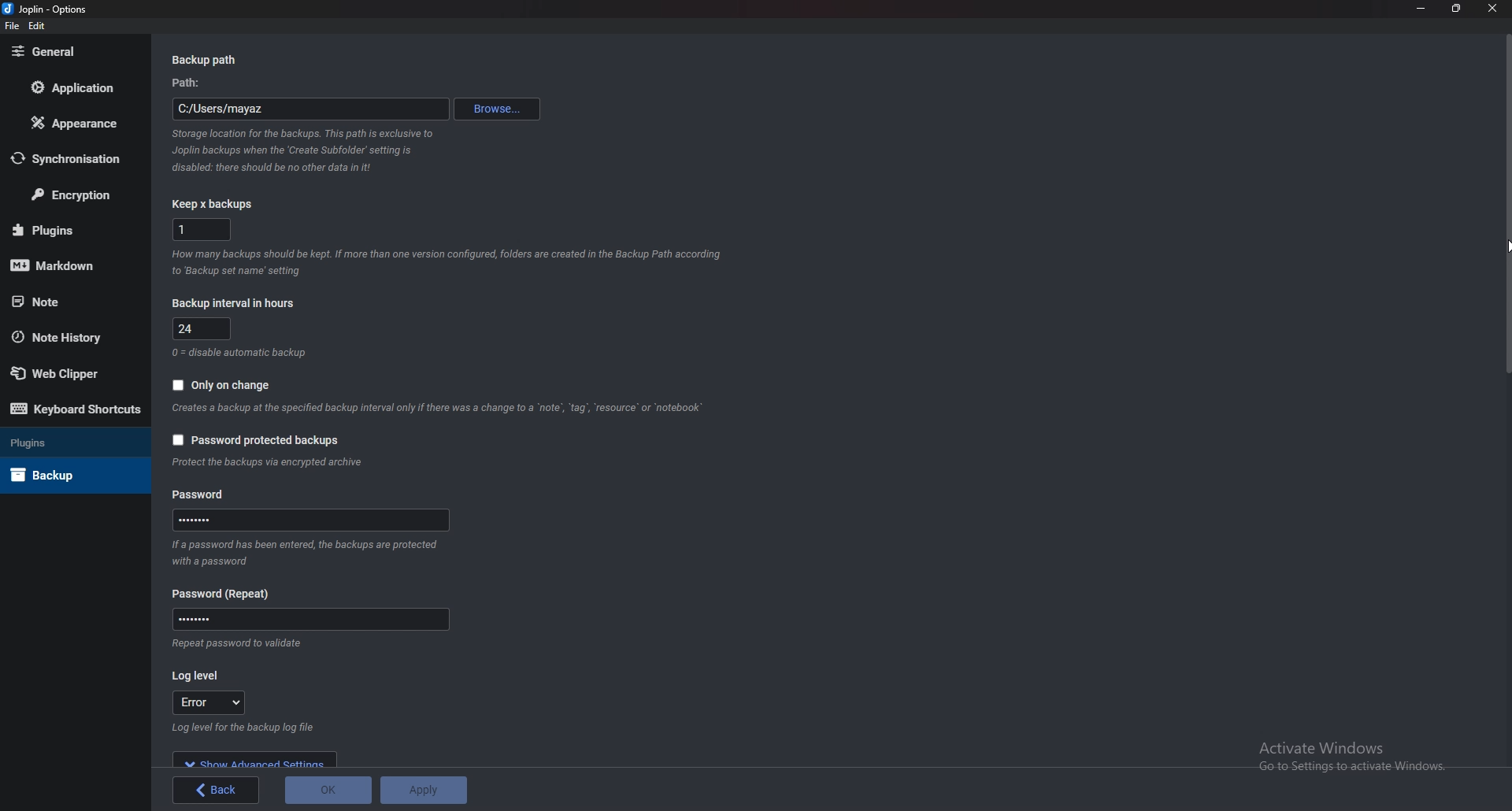 The height and width of the screenshot is (811, 1512). I want to click on cursor, so click(1507, 246).